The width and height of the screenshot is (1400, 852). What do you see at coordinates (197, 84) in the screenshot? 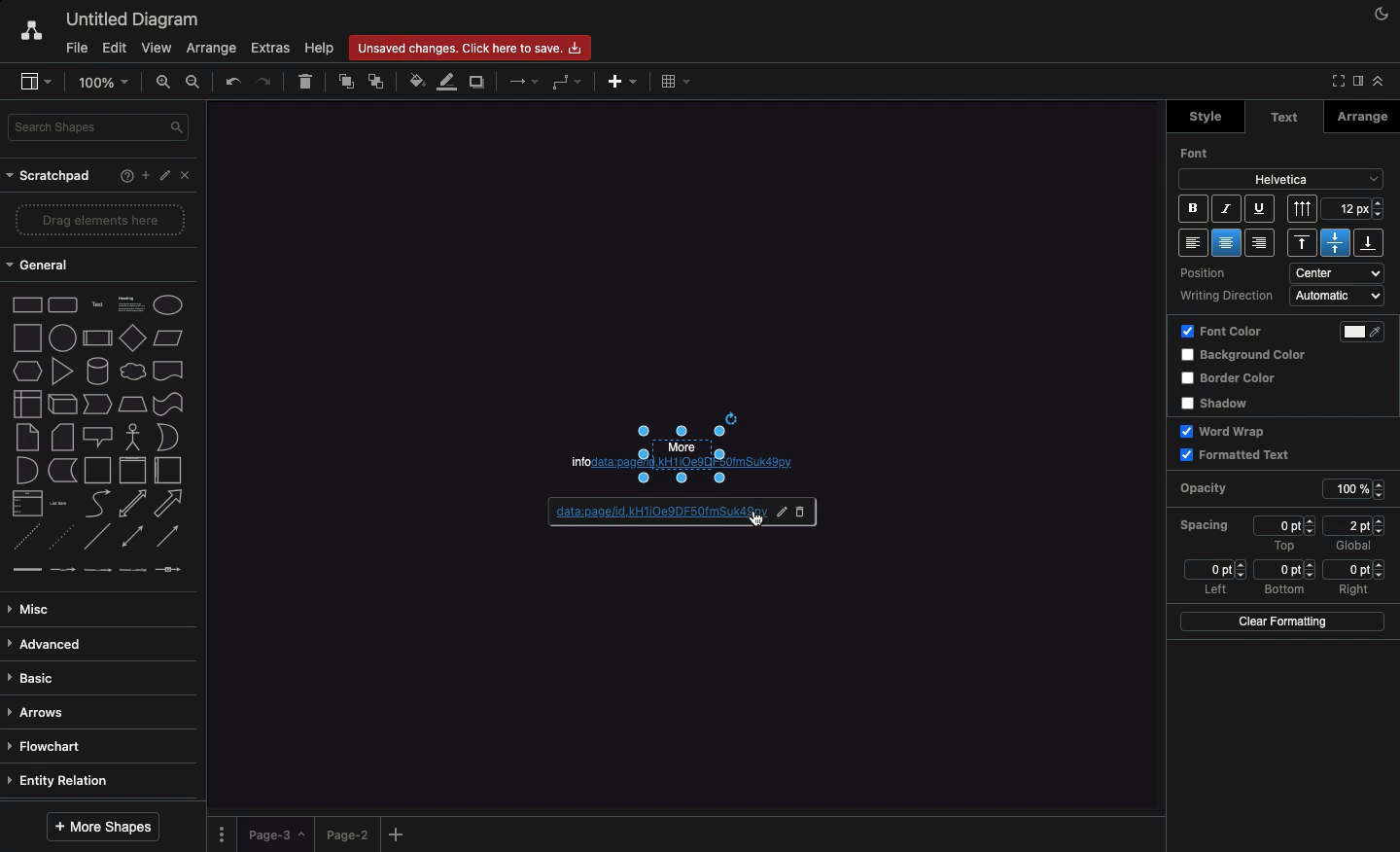
I see `Zoom out` at bounding box center [197, 84].